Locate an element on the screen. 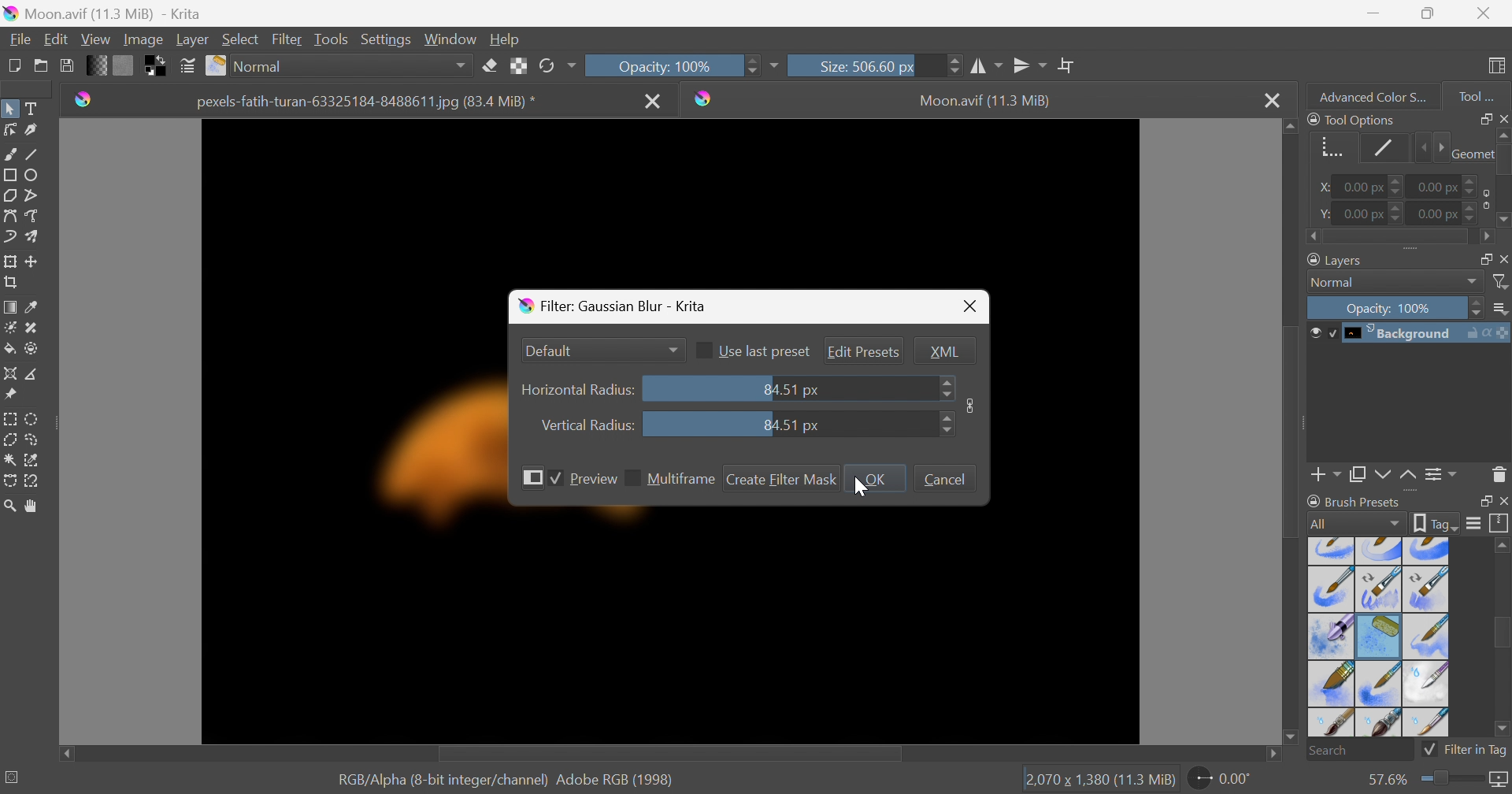 This screenshot has height=794, width=1512. Wrap around mode is located at coordinates (1065, 64).